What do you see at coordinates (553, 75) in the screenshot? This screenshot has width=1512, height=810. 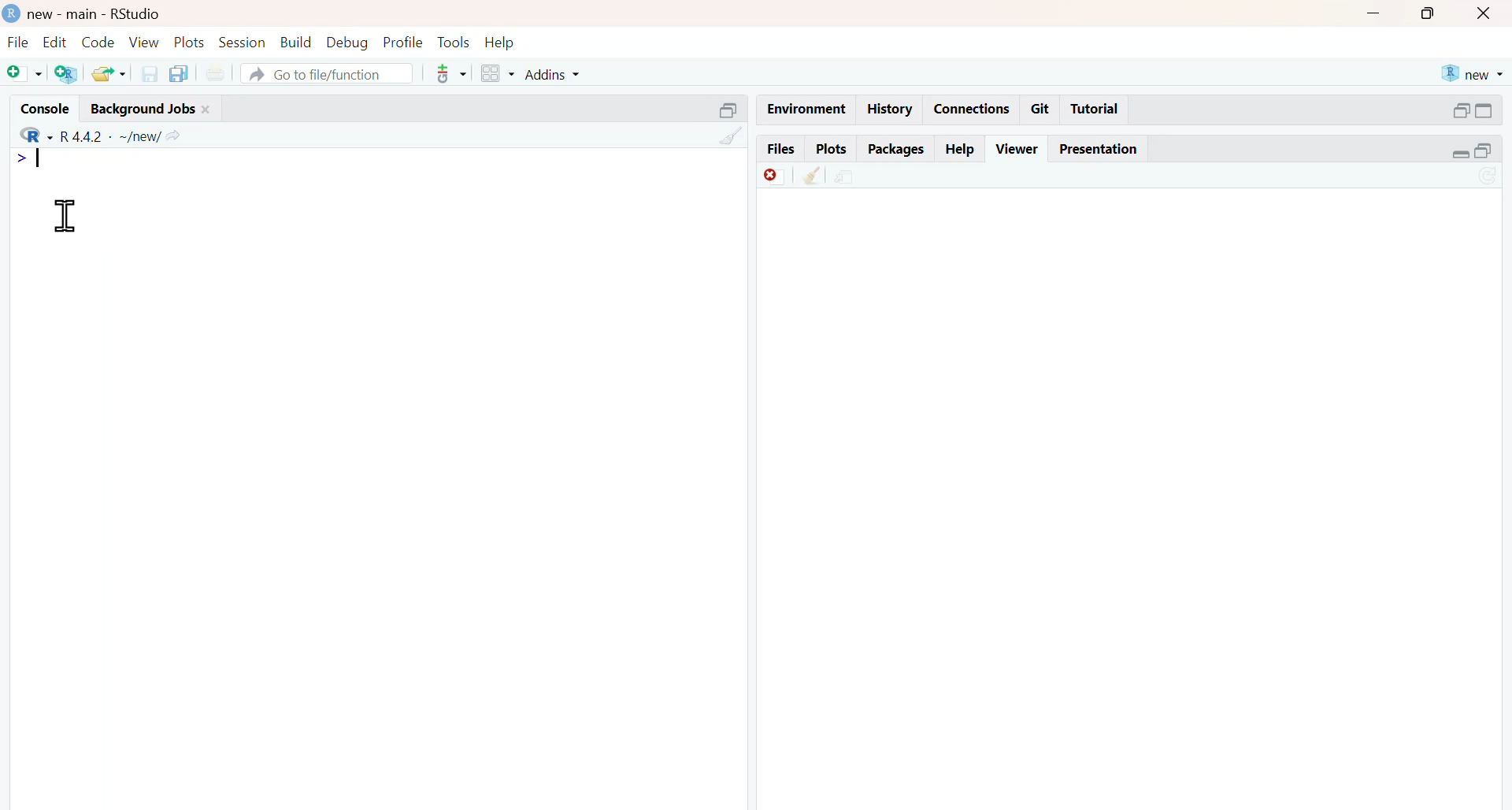 I see `addins` at bounding box center [553, 75].